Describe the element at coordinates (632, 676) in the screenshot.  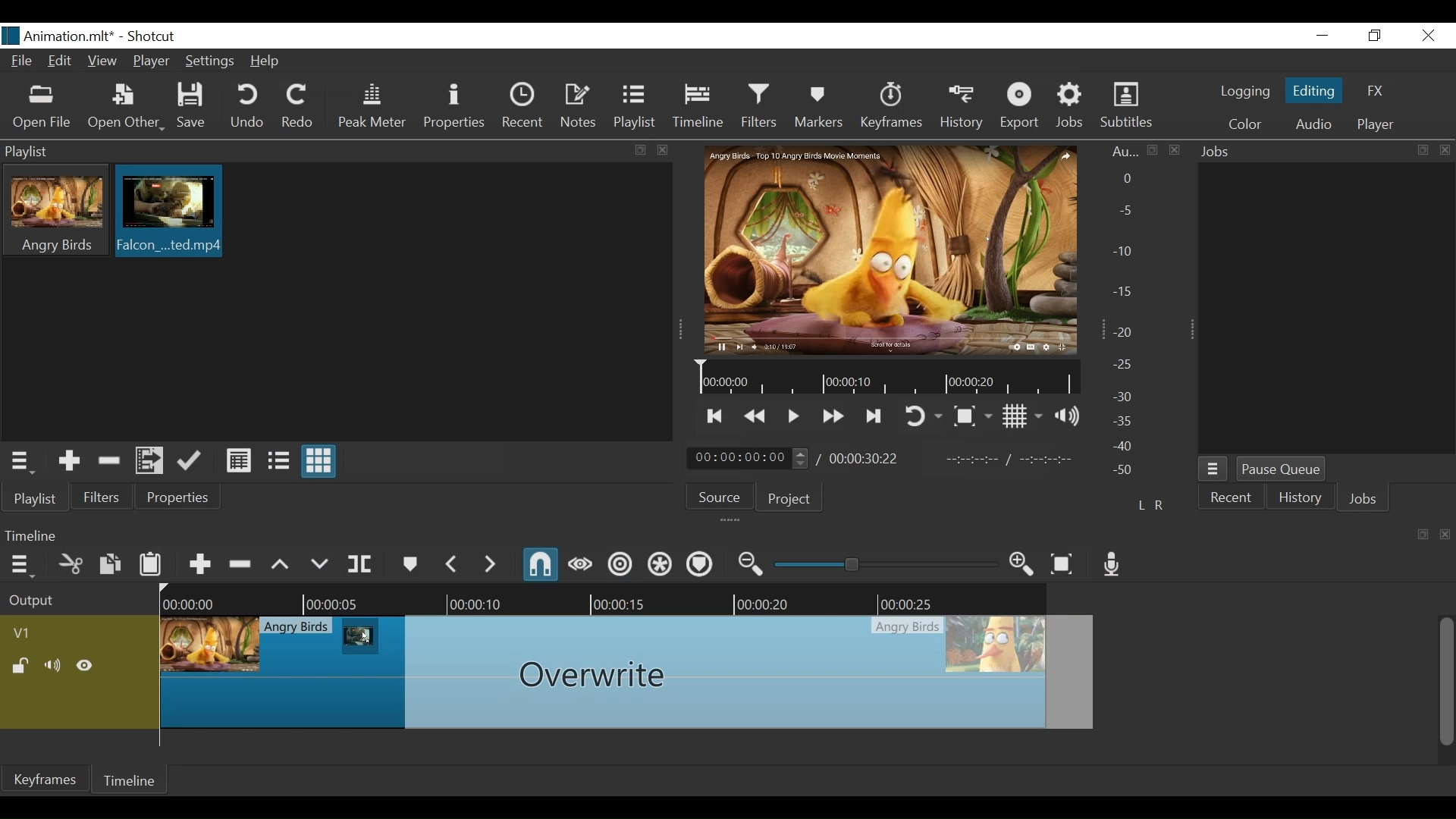
I see `Clip` at that location.